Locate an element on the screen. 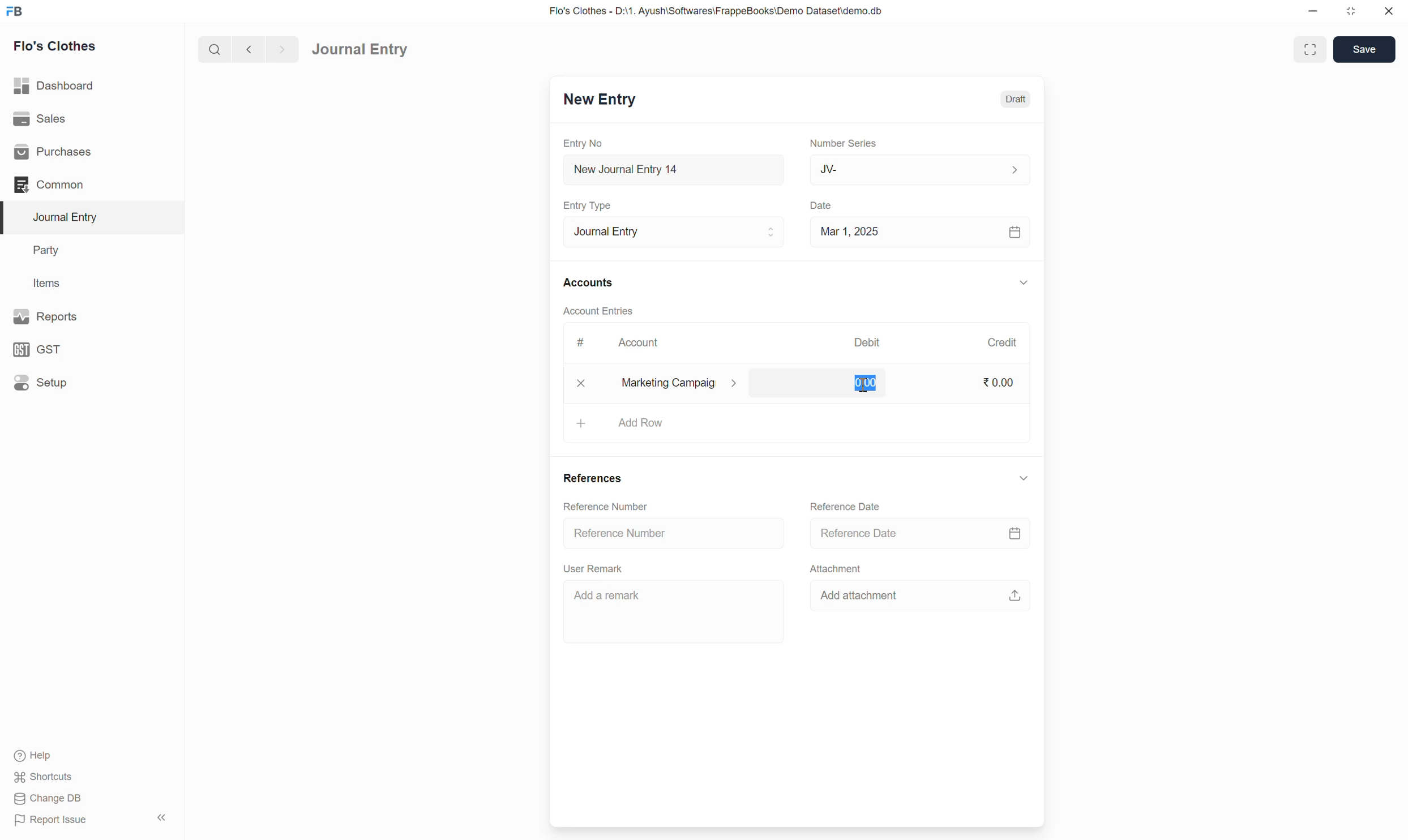 The image size is (1408, 840). Entry No is located at coordinates (585, 143).